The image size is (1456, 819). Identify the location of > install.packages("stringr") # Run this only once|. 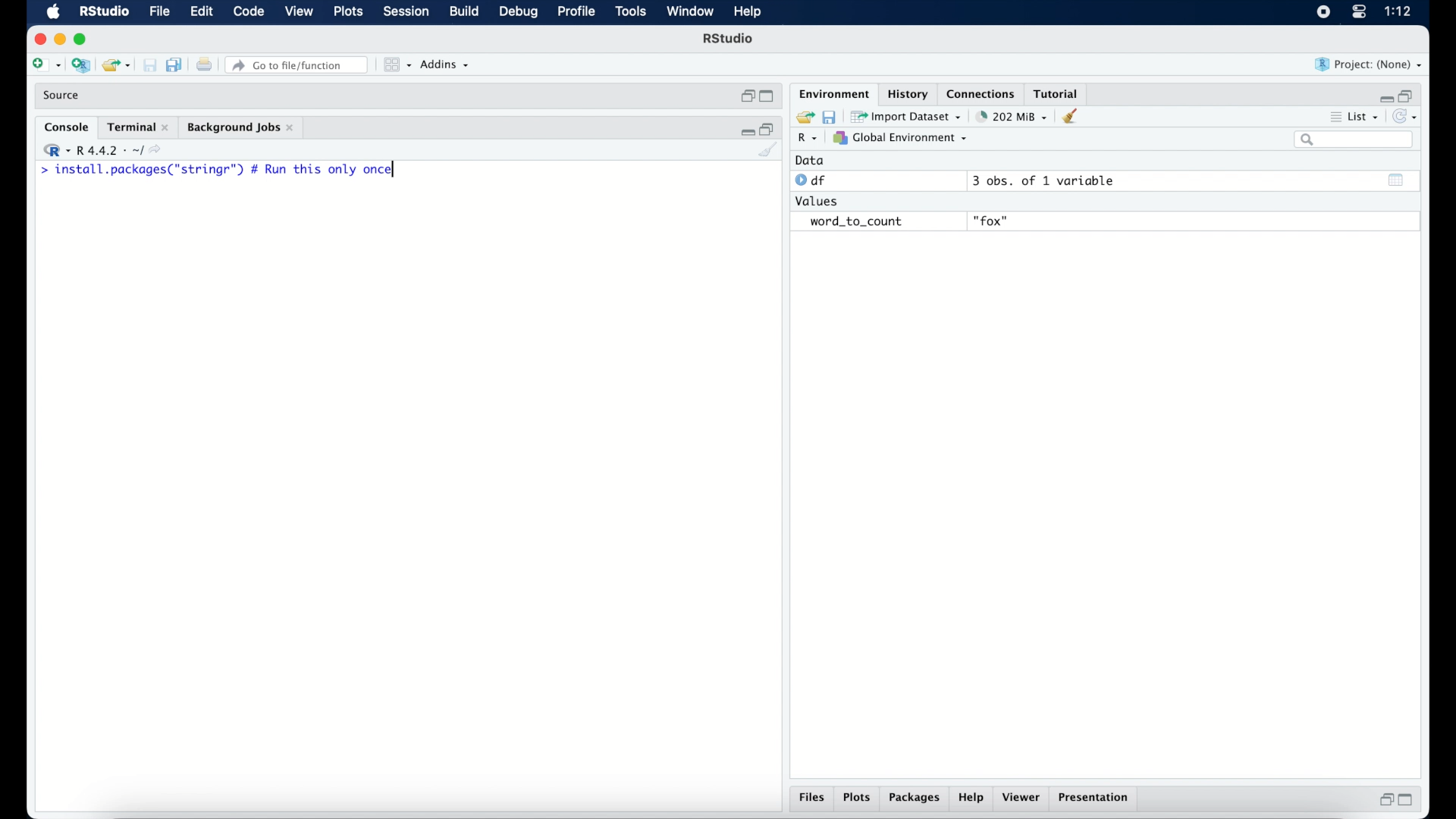
(221, 170).